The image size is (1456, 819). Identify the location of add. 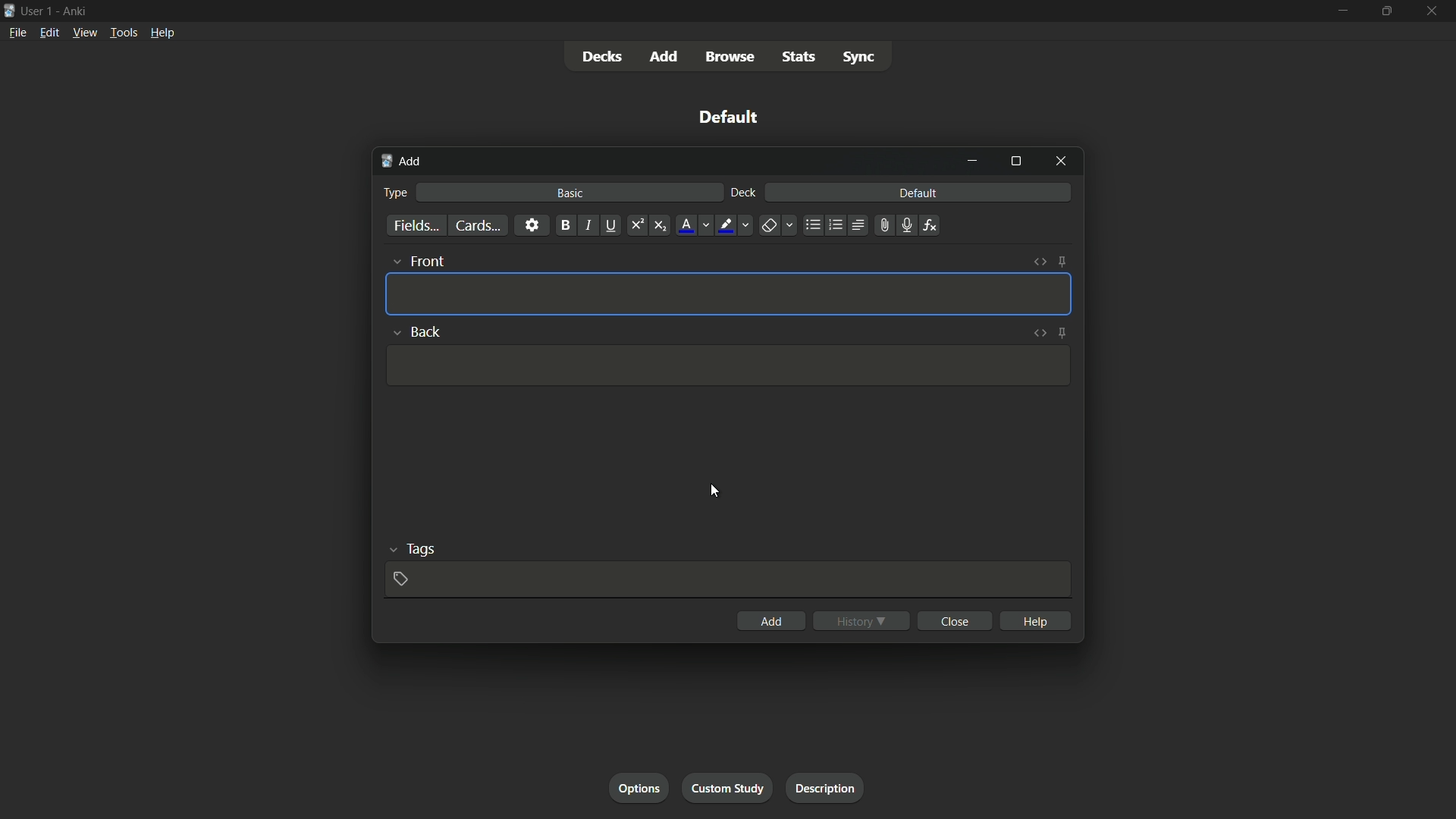
(406, 162).